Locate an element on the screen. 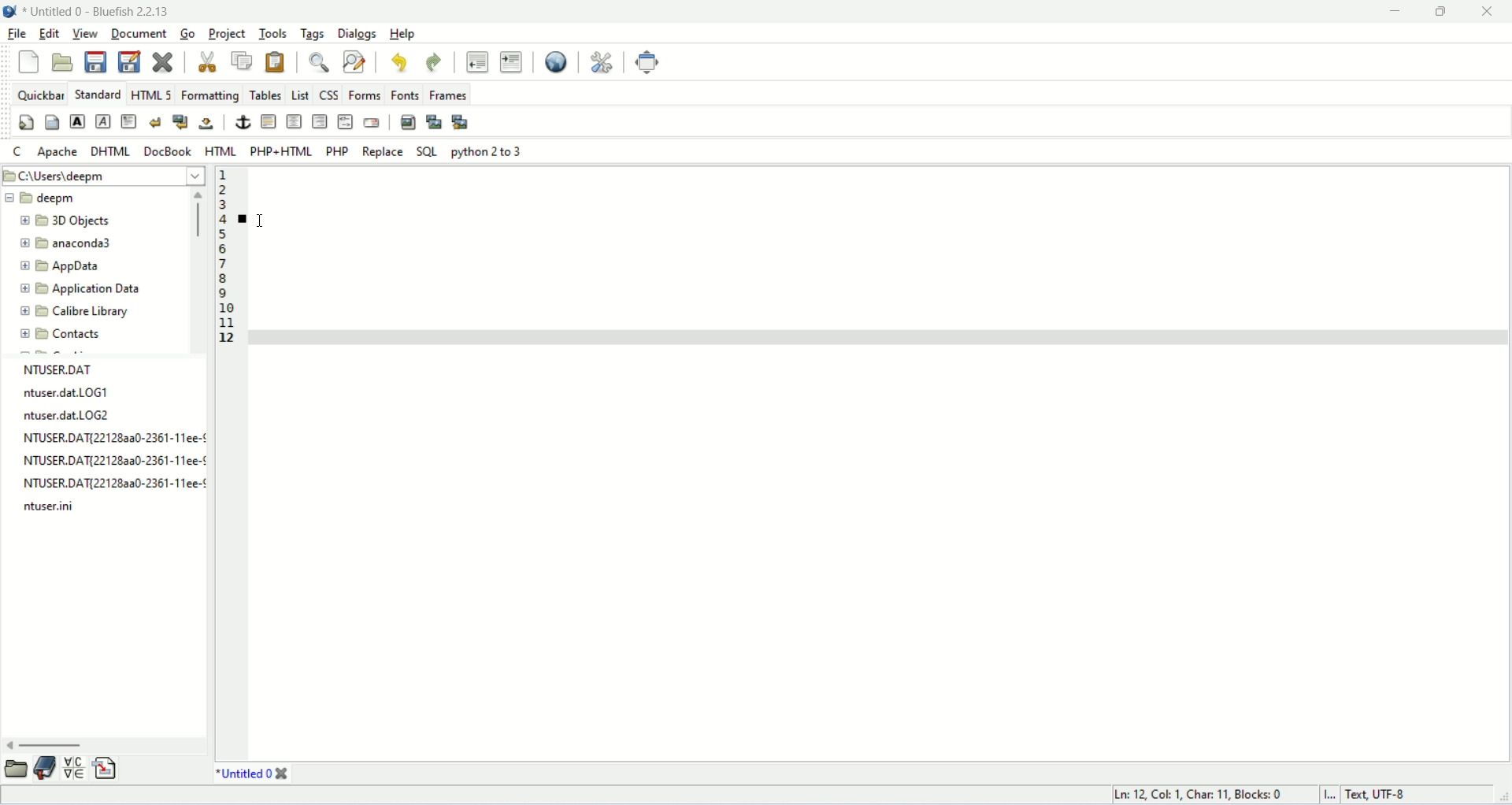 The width and height of the screenshot is (1512, 805). horizontal rule is located at coordinates (266, 121).